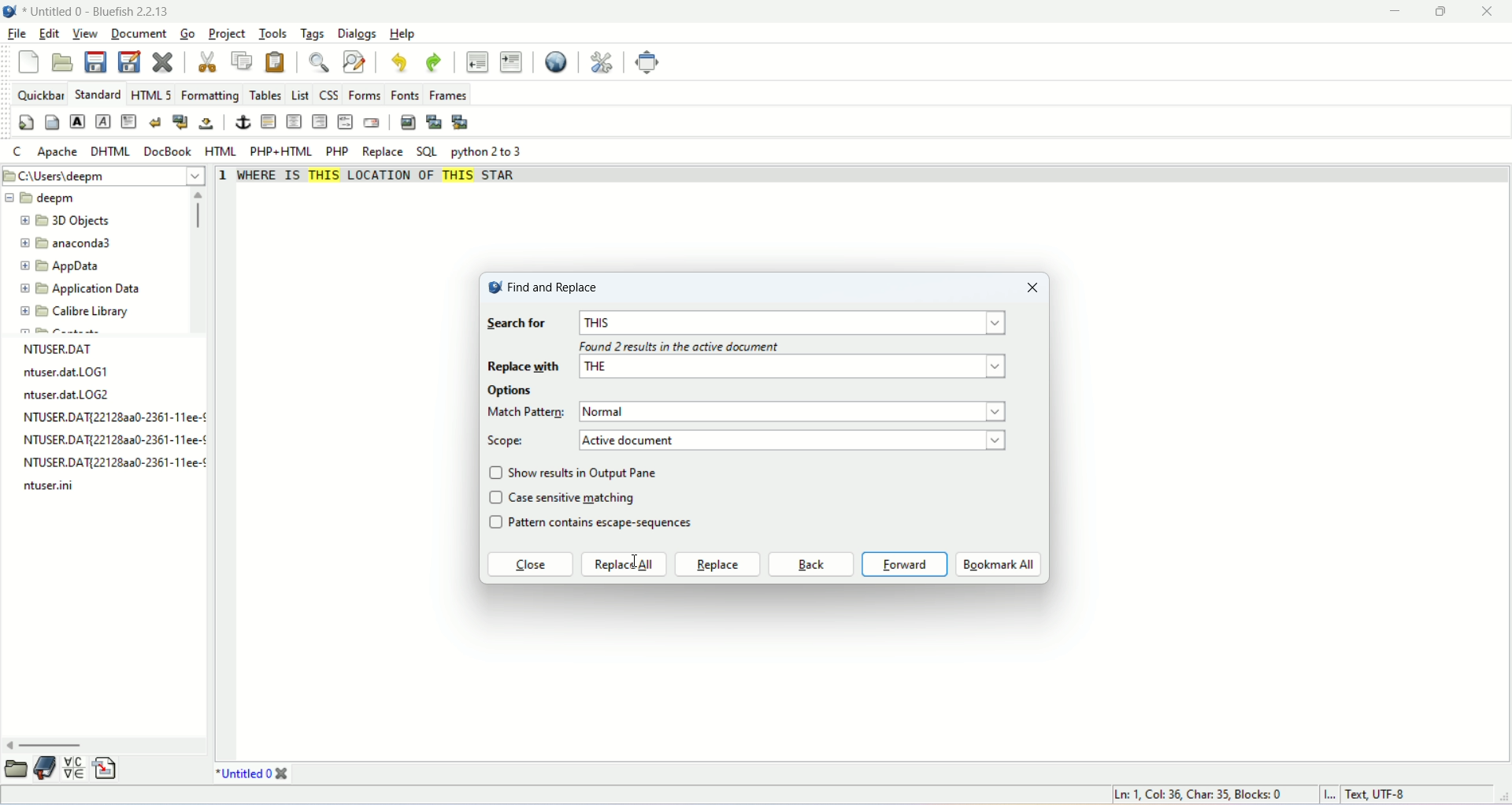 This screenshot has width=1512, height=805. Describe the element at coordinates (75, 310) in the screenshot. I see `Calibre Library` at that location.